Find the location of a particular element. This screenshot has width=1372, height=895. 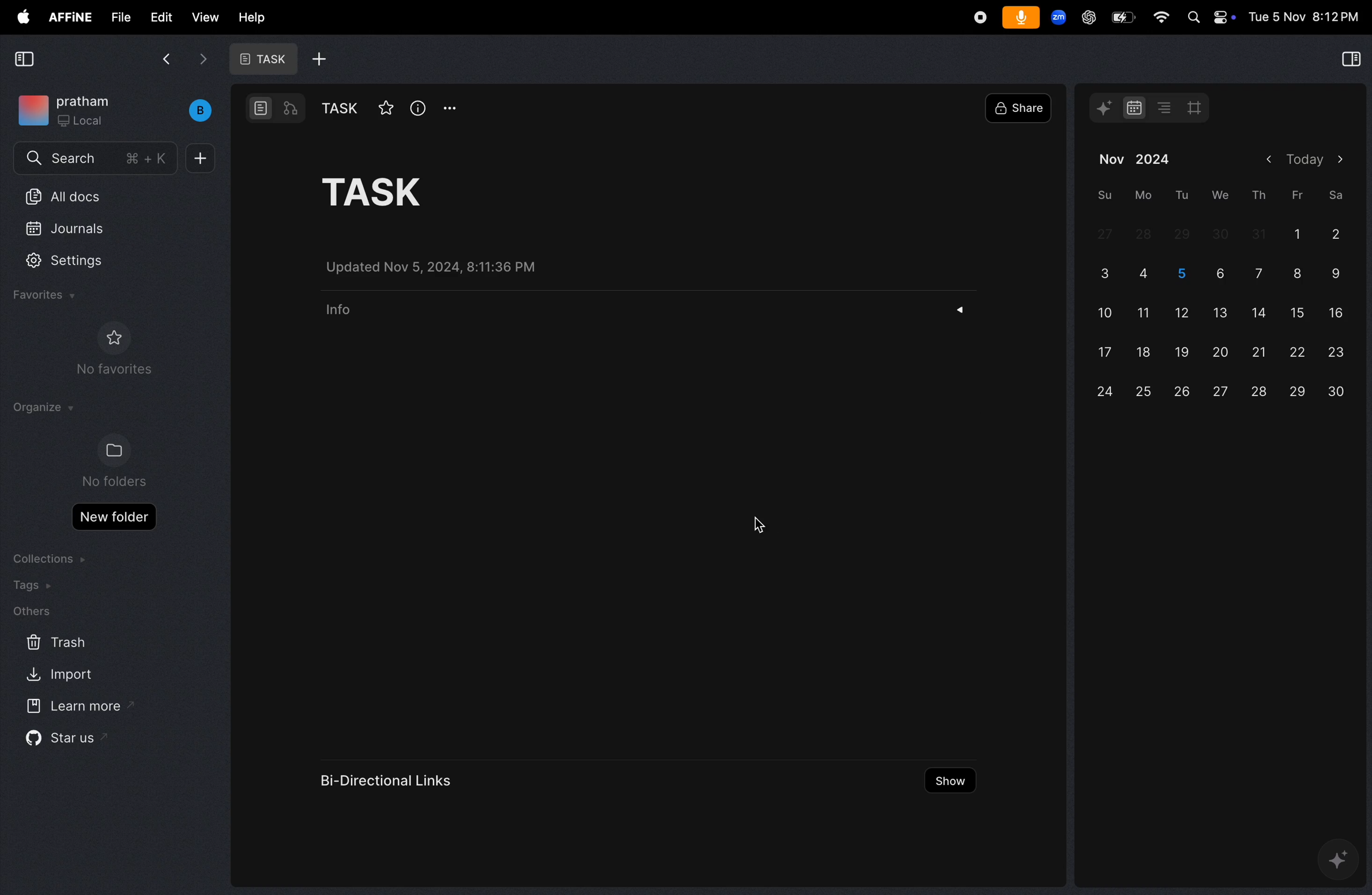

zoom is located at coordinates (1058, 19).